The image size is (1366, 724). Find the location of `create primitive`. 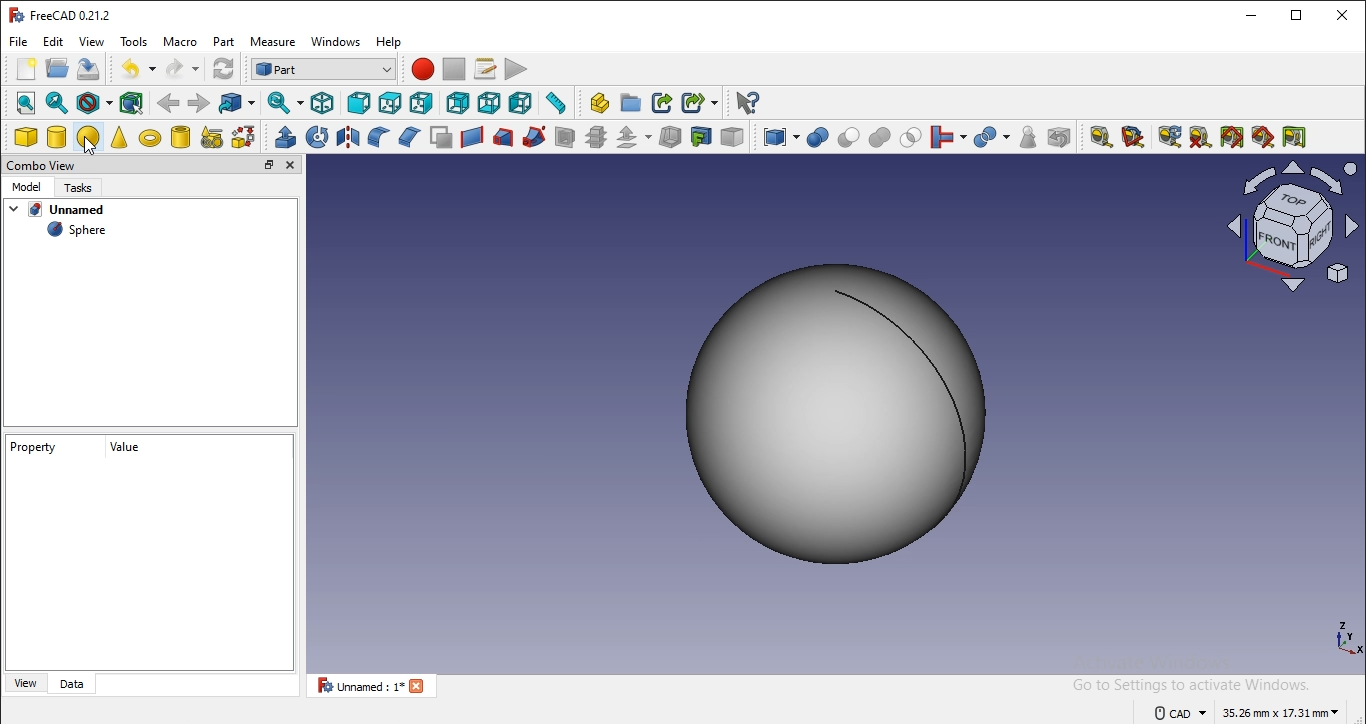

create primitive is located at coordinates (211, 137).